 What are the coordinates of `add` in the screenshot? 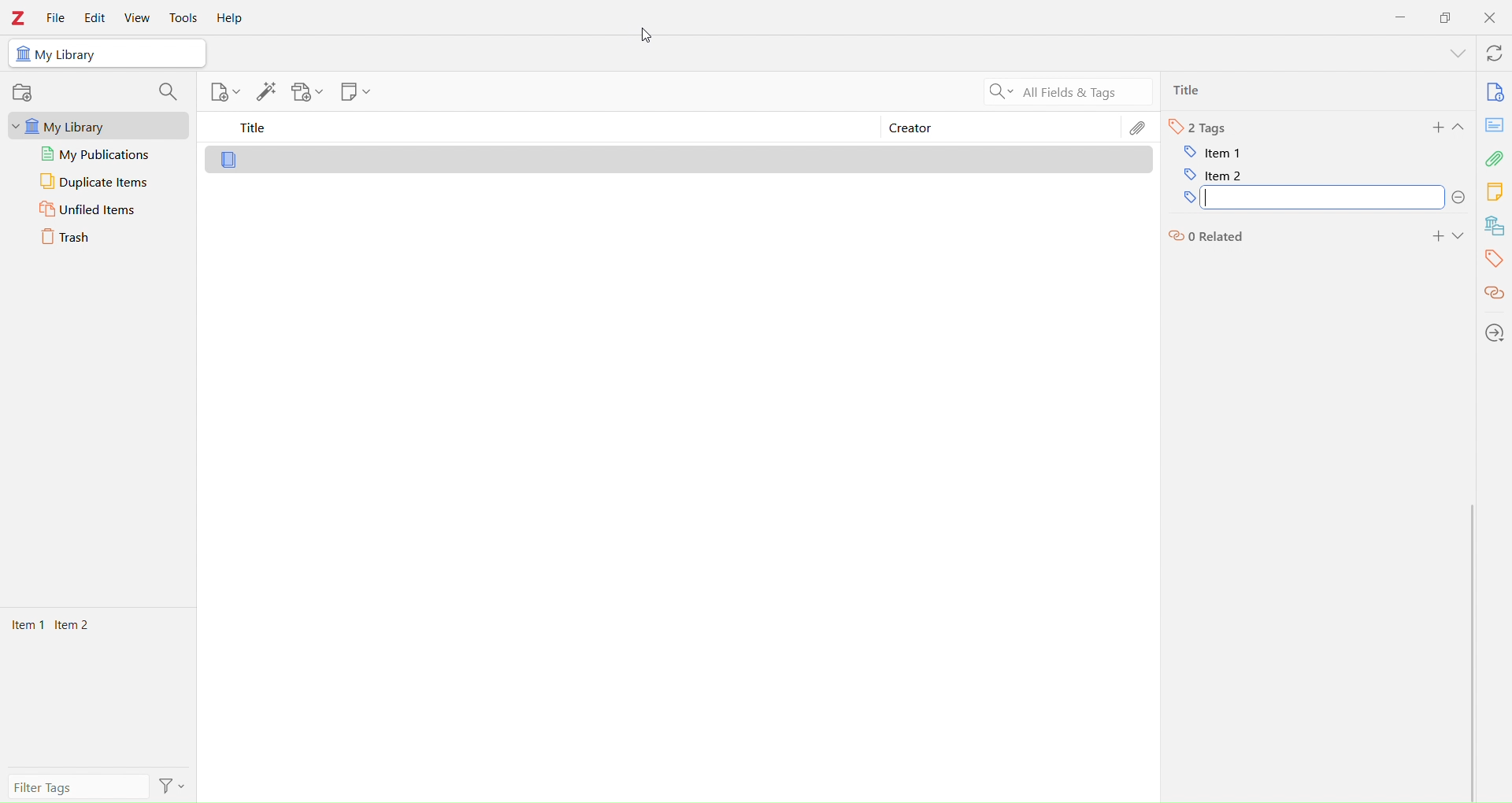 It's located at (1438, 238).